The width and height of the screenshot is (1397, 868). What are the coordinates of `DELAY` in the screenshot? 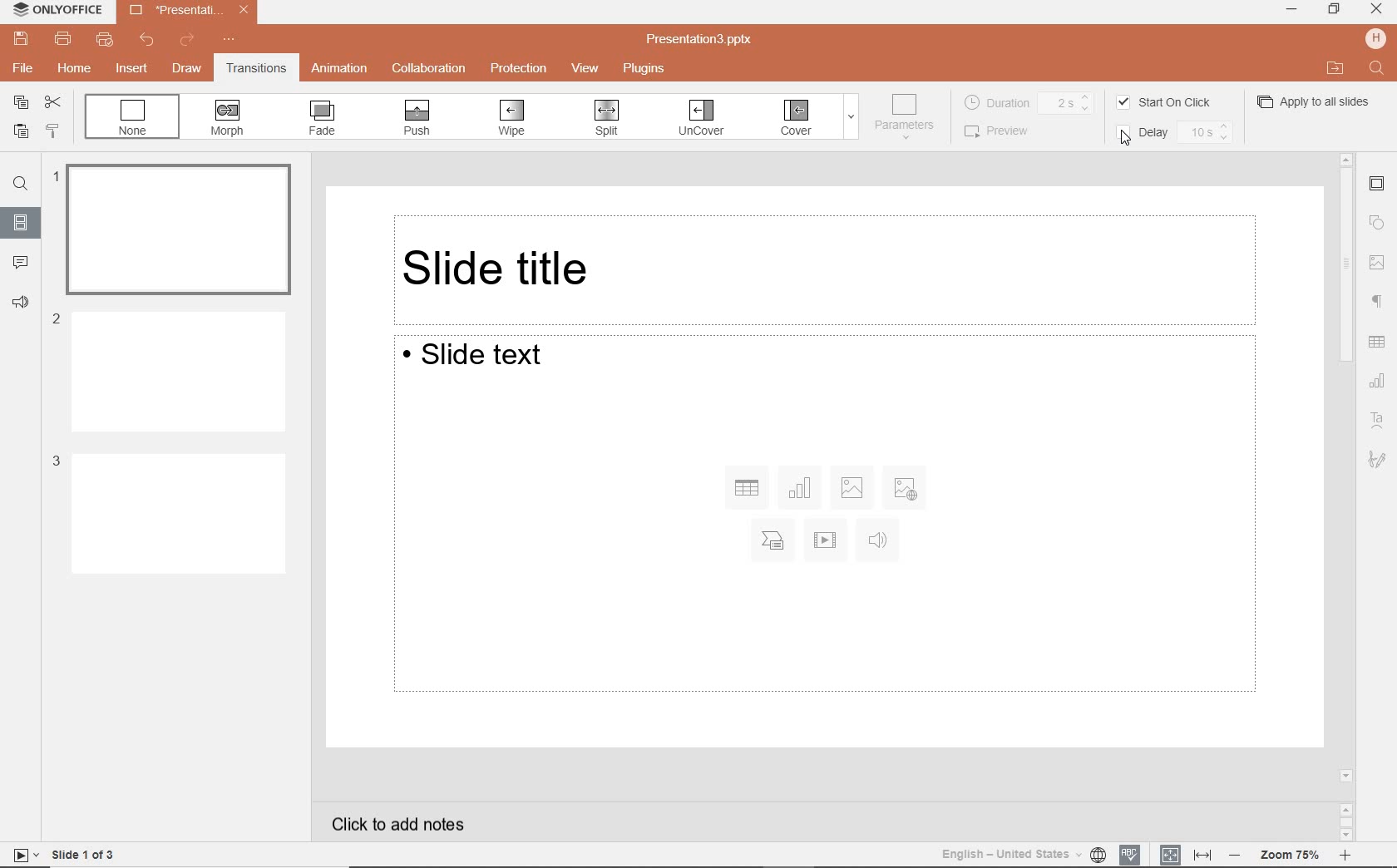 It's located at (1177, 132).